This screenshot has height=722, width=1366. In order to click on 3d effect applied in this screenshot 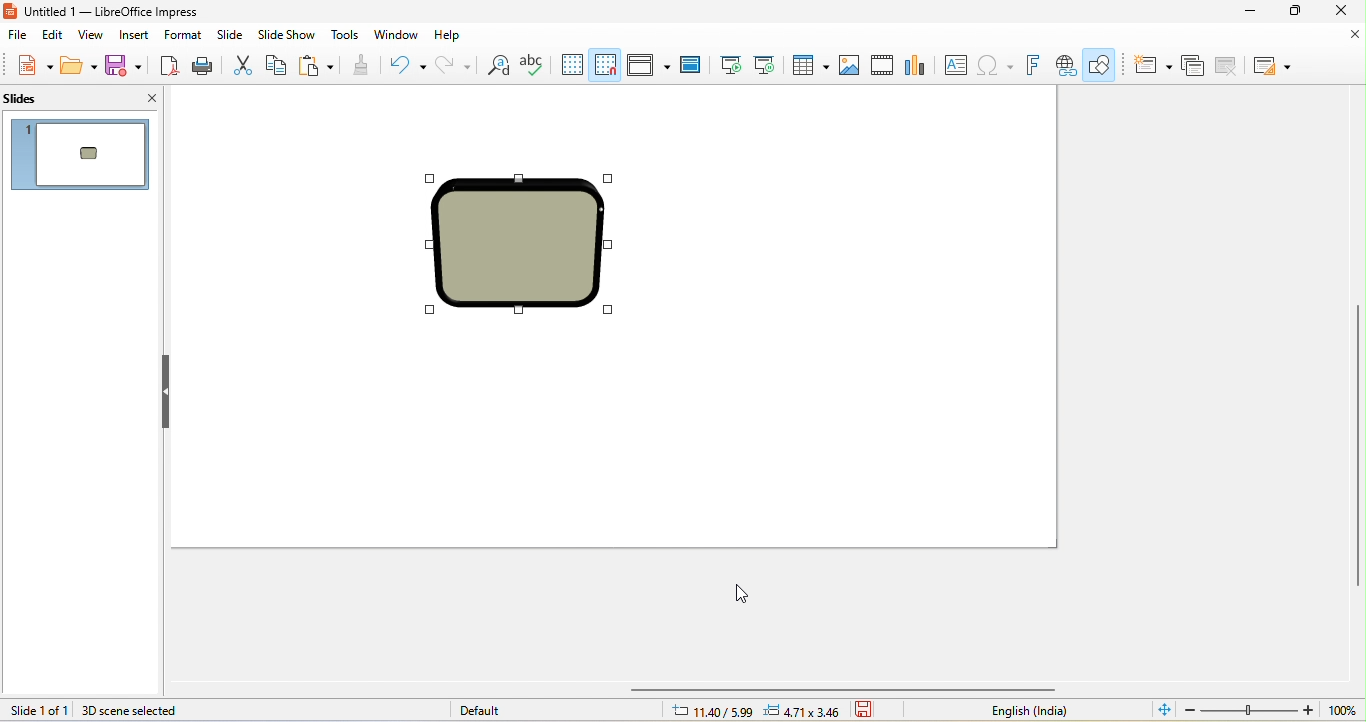, I will do `click(520, 242)`.